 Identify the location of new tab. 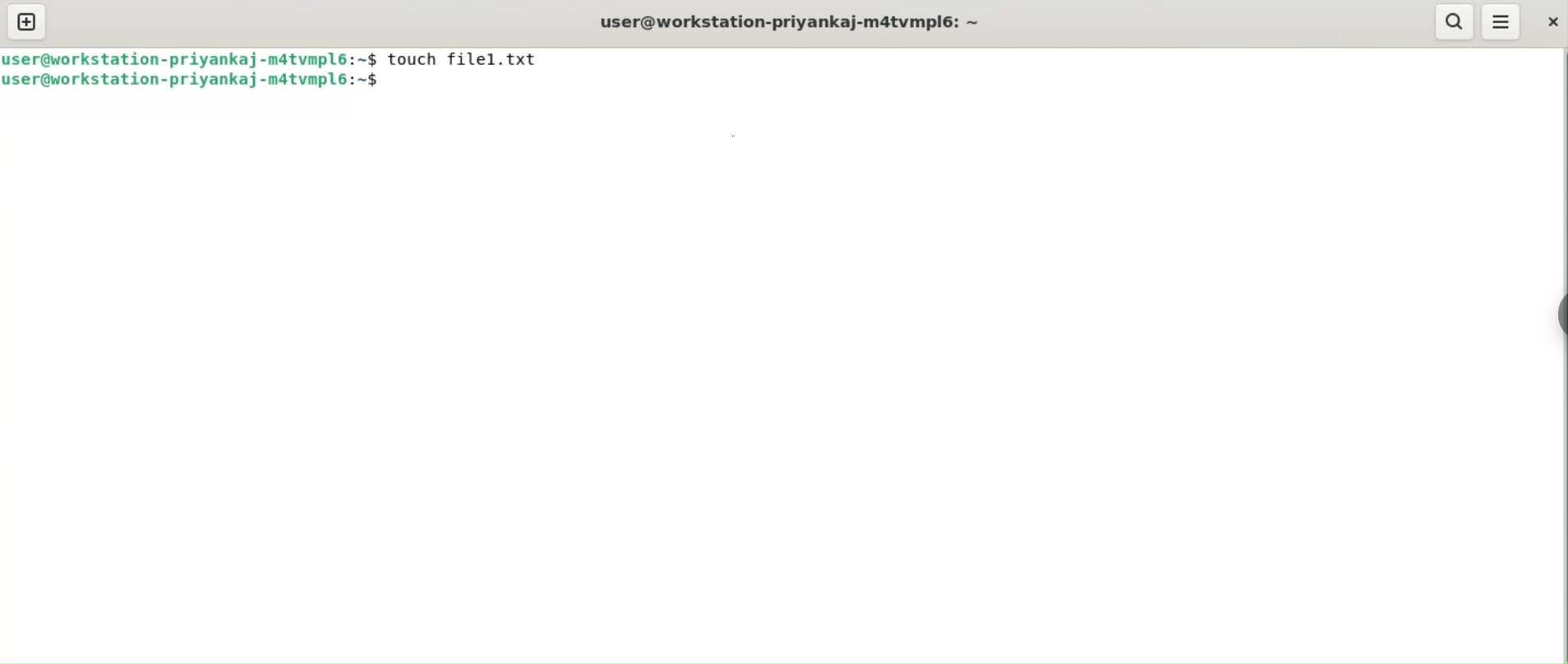
(28, 21).